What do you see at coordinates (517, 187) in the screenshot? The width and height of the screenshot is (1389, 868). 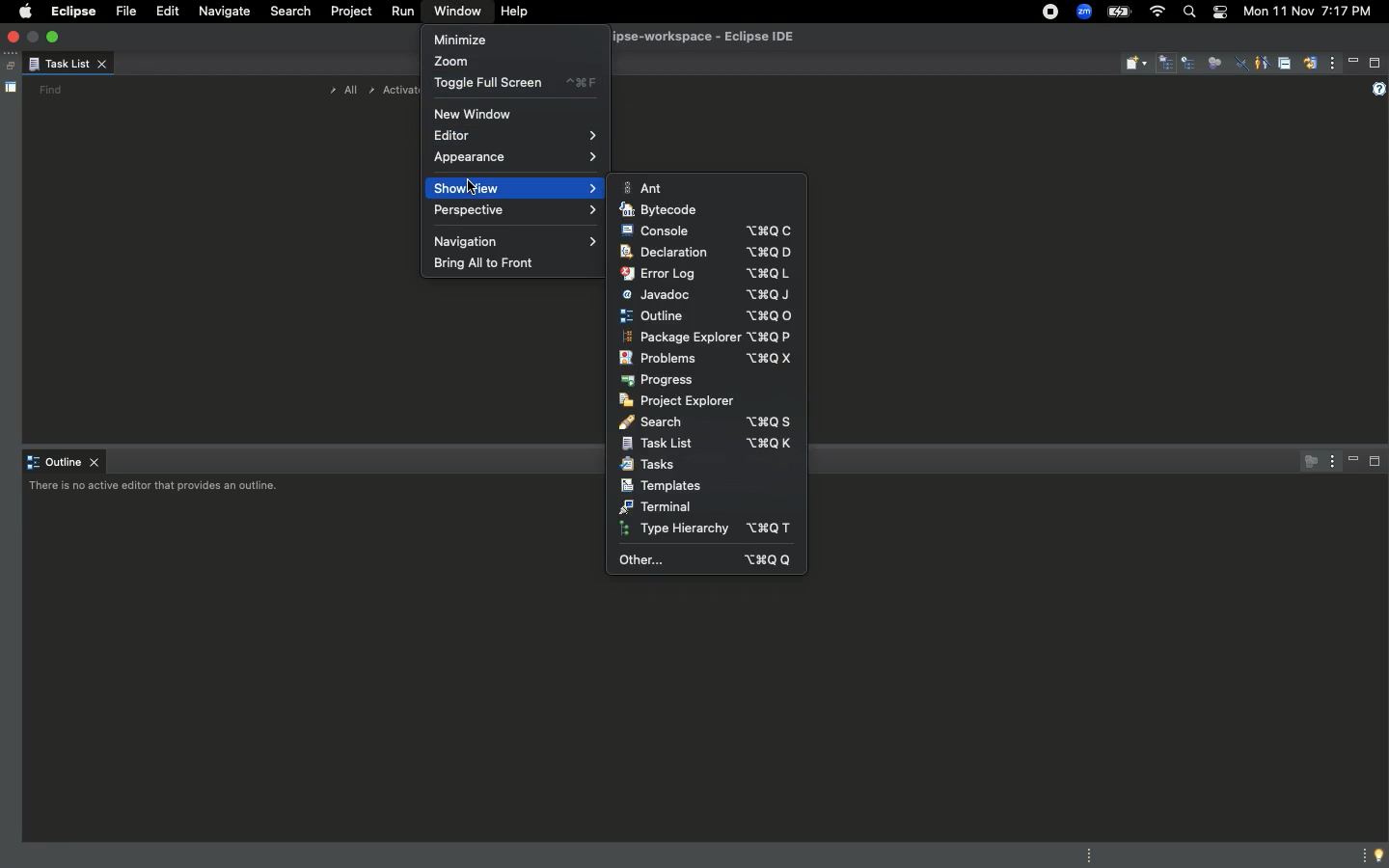 I see `Show view` at bounding box center [517, 187].